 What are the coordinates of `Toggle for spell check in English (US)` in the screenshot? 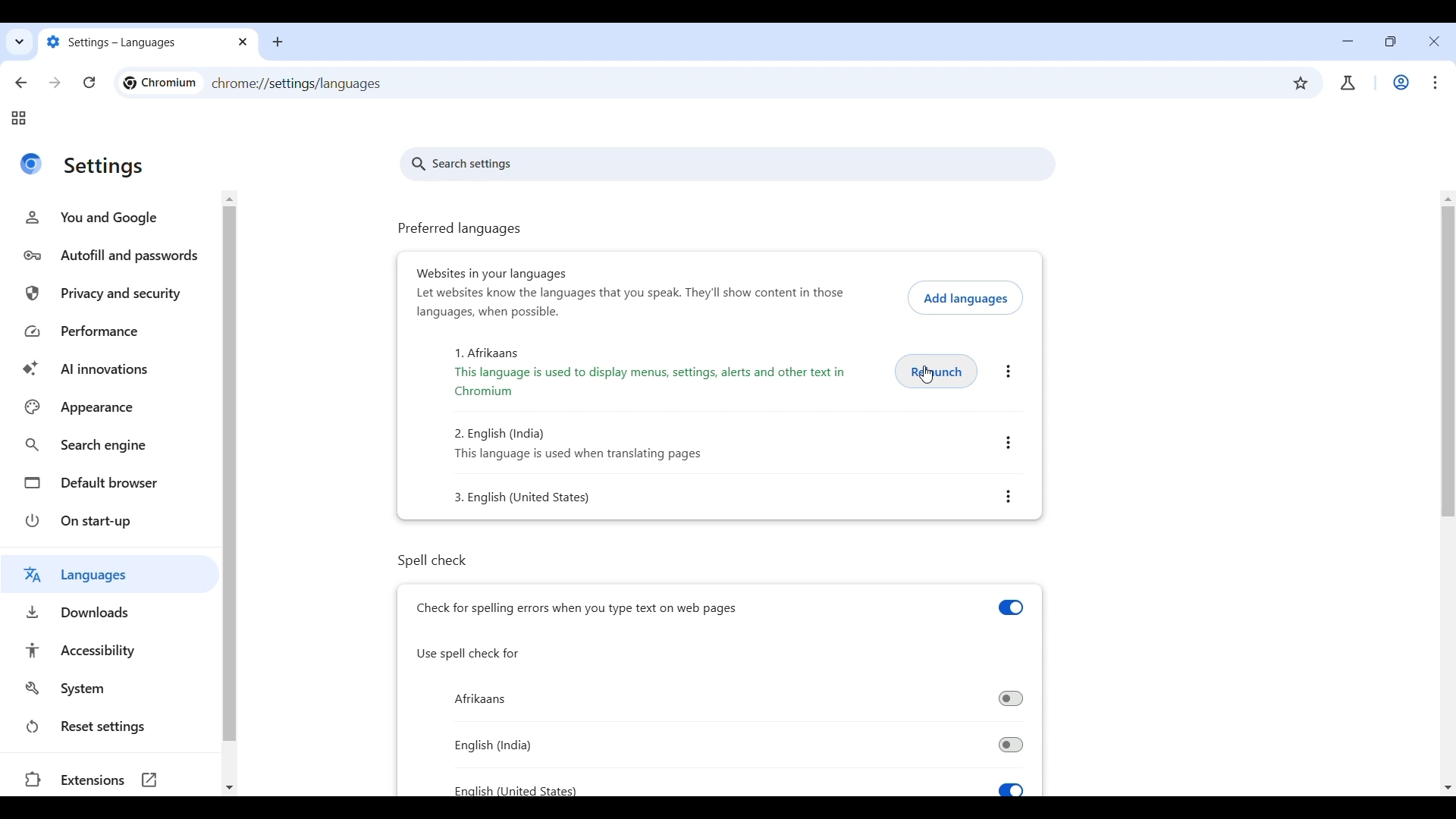 It's located at (748, 785).